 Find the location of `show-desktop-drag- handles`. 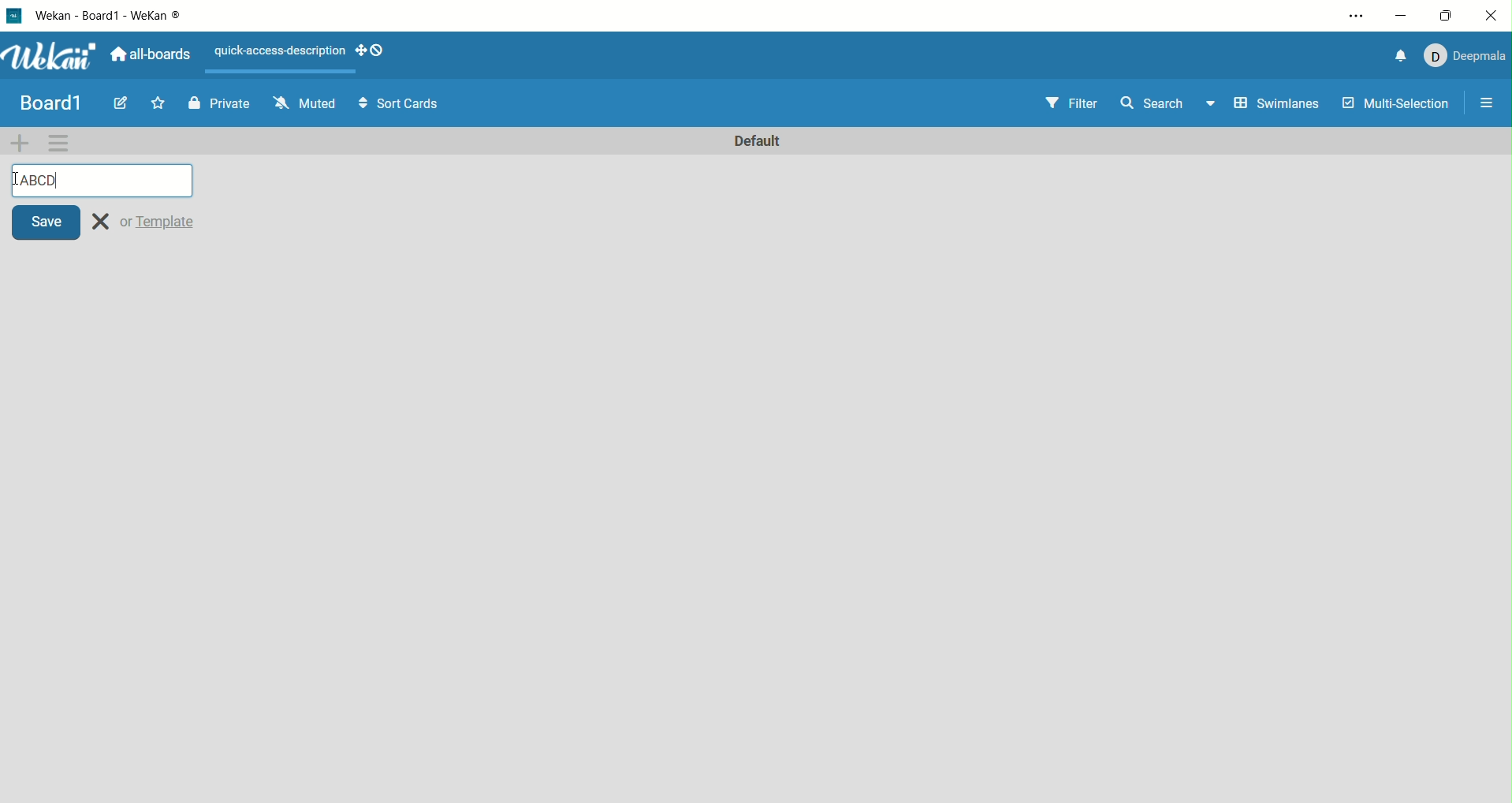

show-desktop-drag- handles is located at coordinates (378, 50).